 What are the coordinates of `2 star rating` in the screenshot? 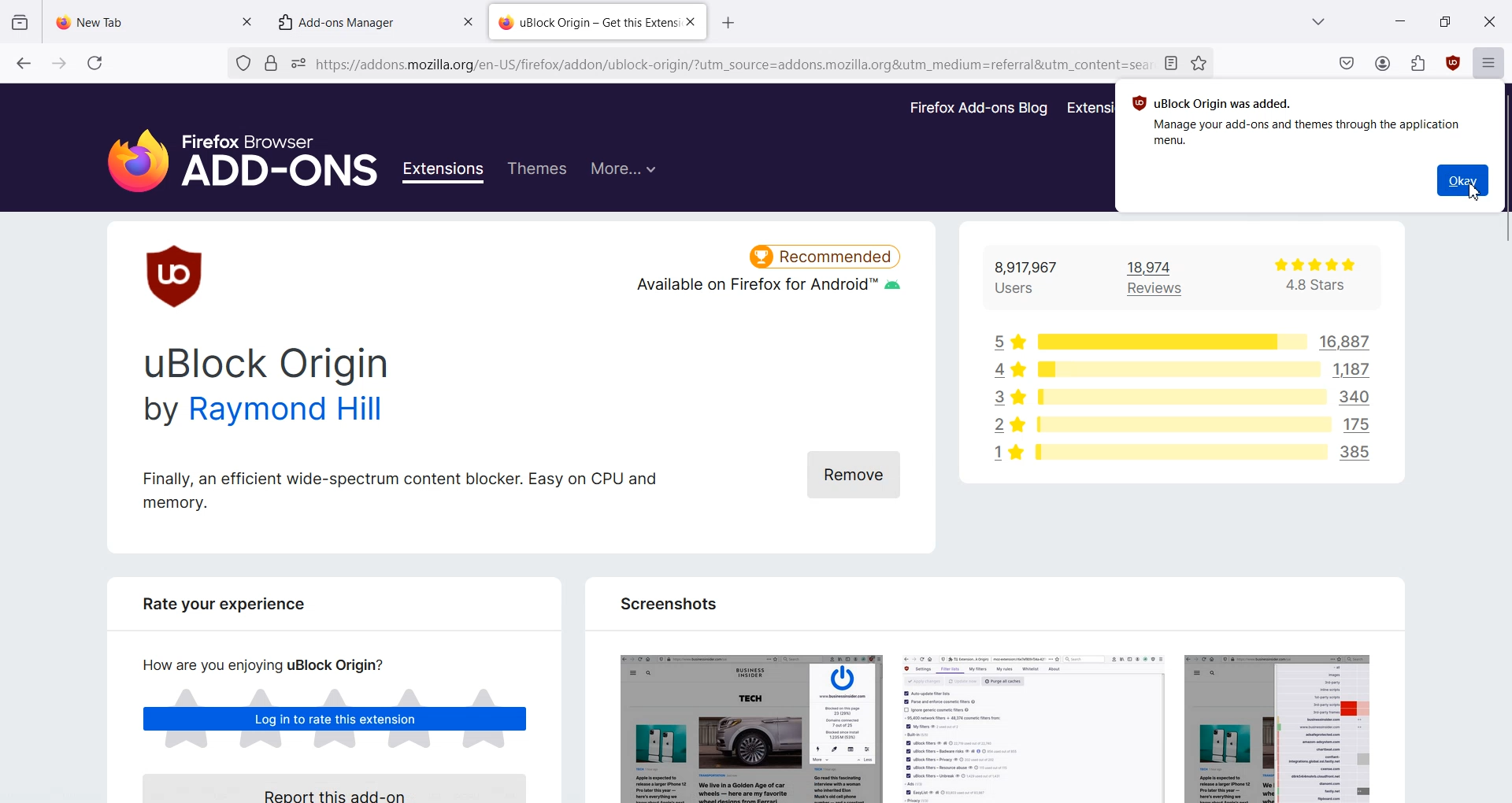 It's located at (1008, 426).